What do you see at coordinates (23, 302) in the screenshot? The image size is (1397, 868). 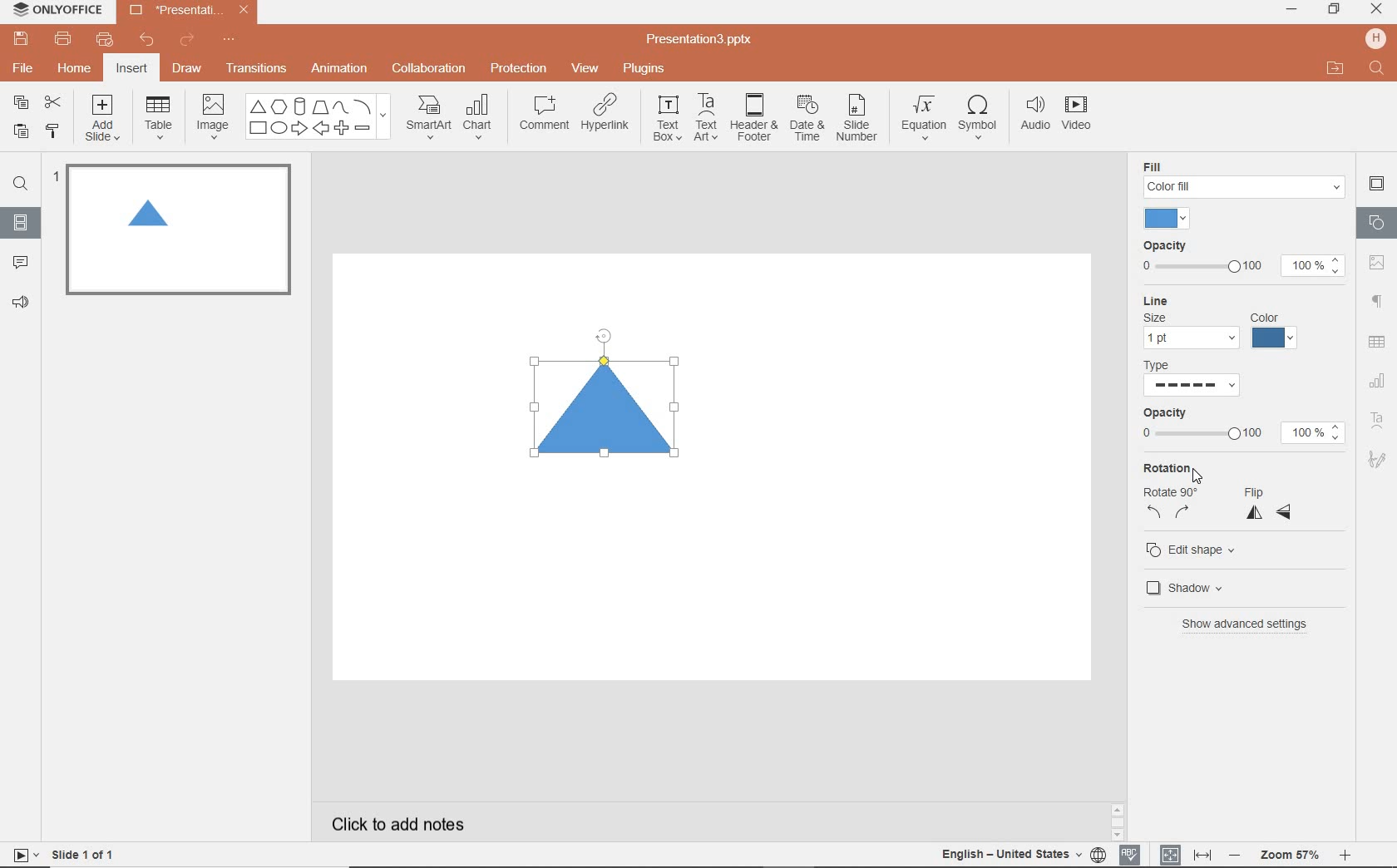 I see `FEEDBACK & SUPPORT` at bounding box center [23, 302].